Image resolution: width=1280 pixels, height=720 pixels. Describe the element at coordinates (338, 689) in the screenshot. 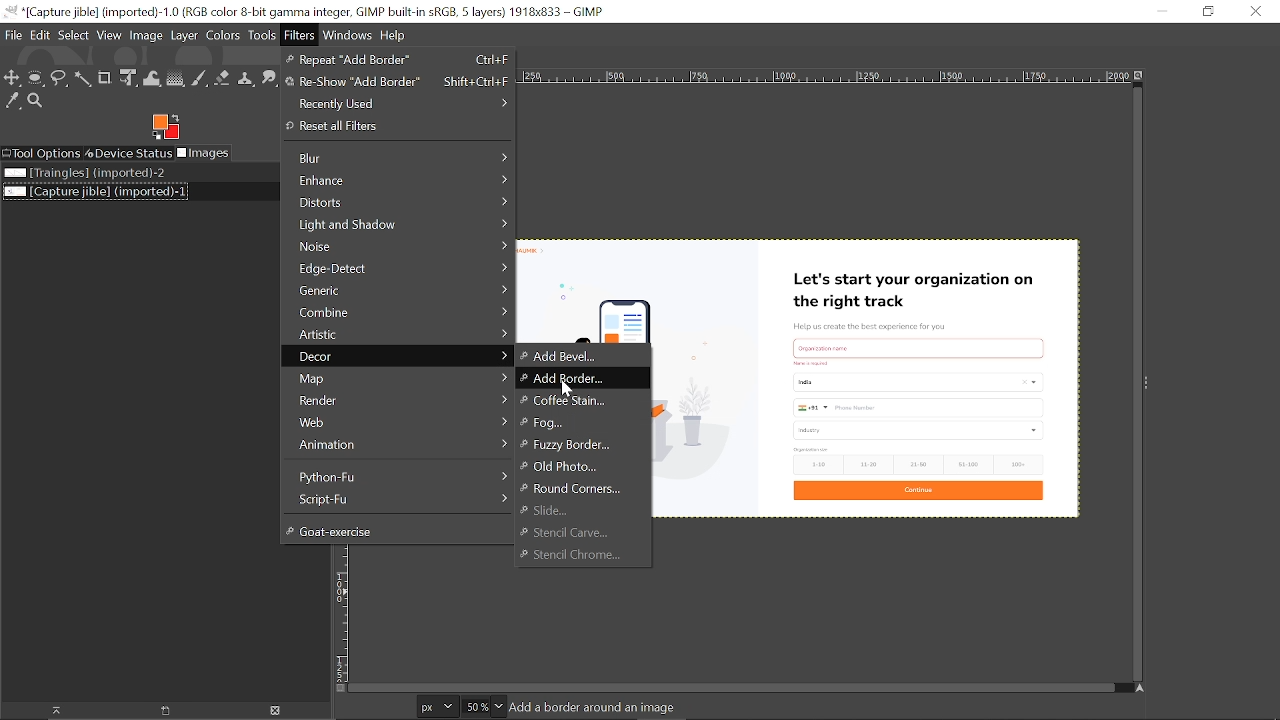

I see `Toggle quick mask on/off` at that location.